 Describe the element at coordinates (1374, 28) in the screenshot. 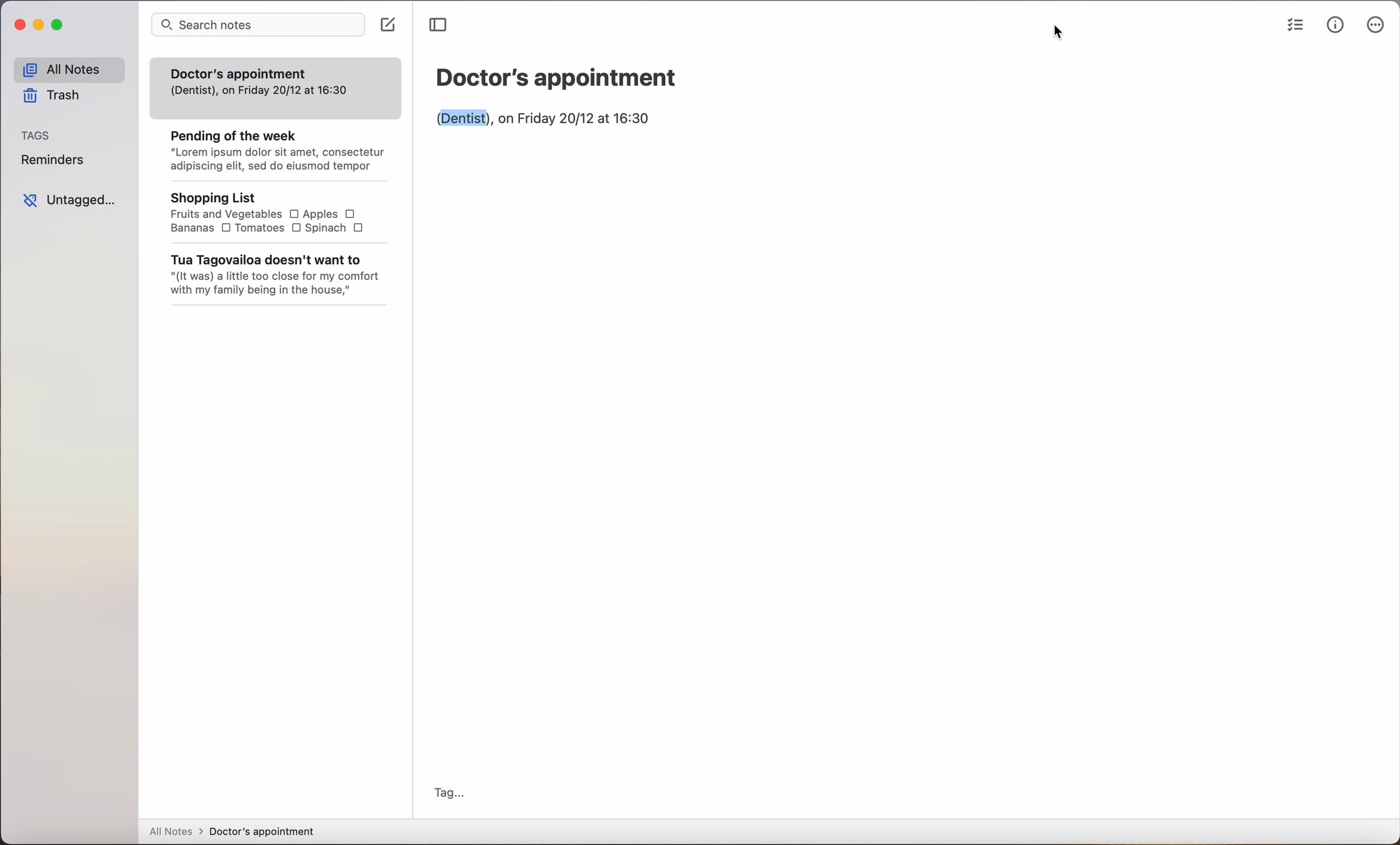

I see `more options` at that location.